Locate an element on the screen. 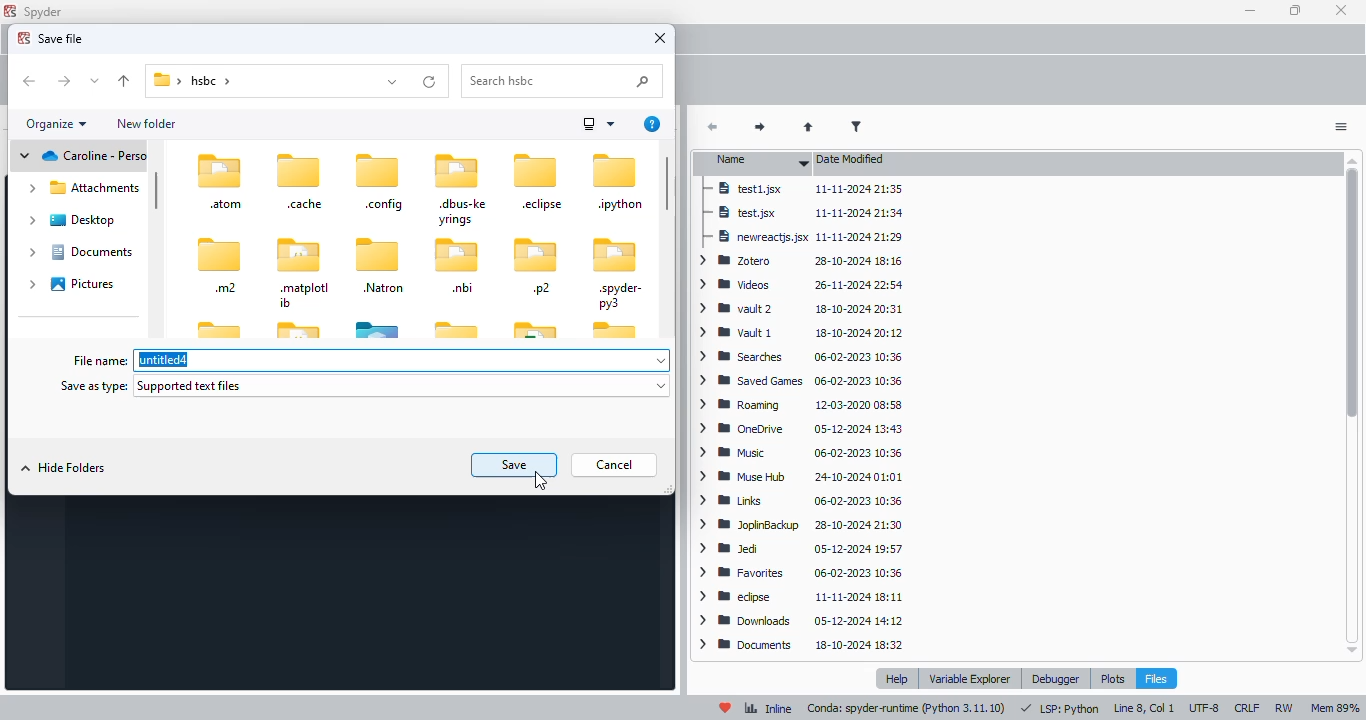  maximize is located at coordinates (1296, 10).